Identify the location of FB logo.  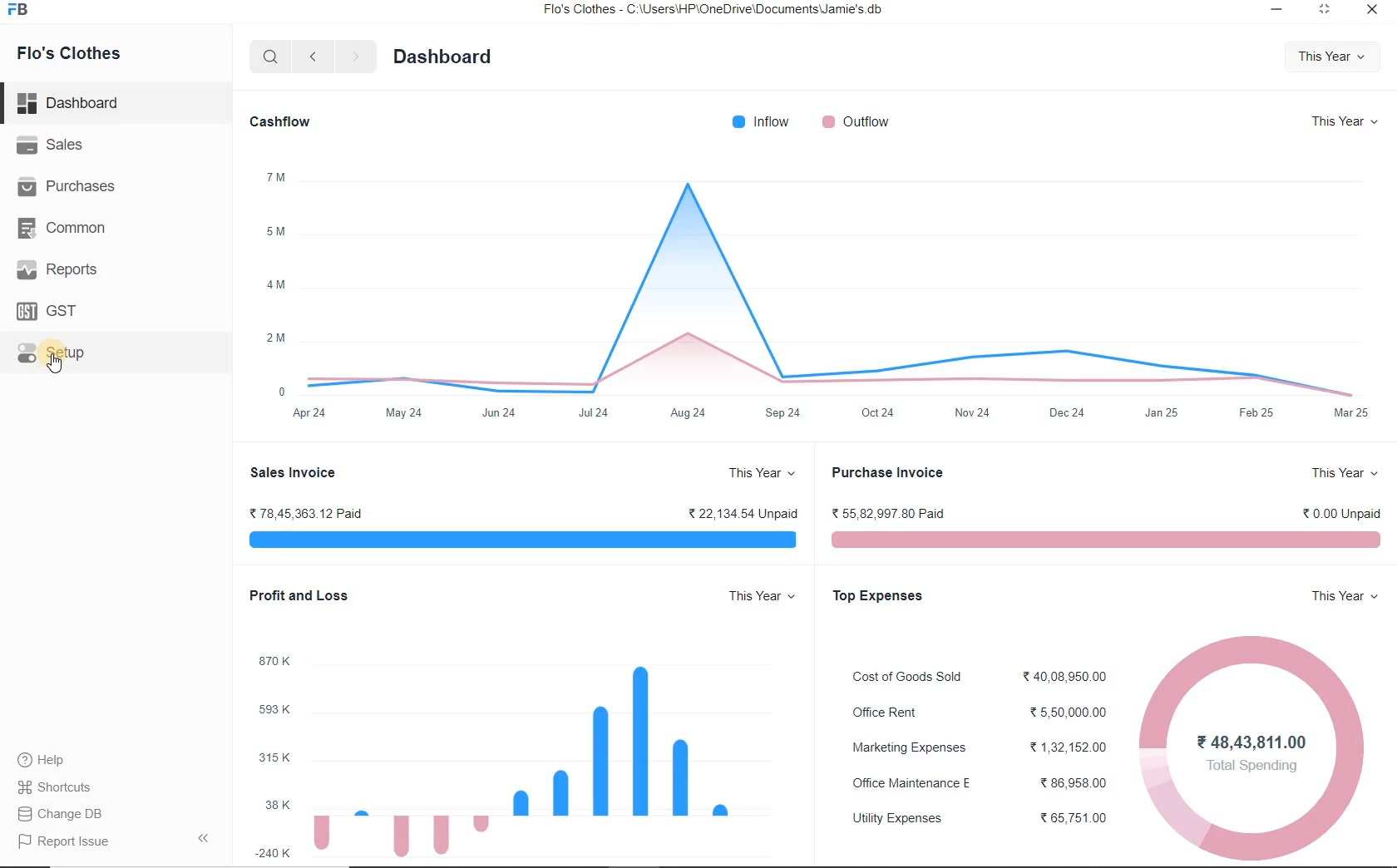
(23, 10).